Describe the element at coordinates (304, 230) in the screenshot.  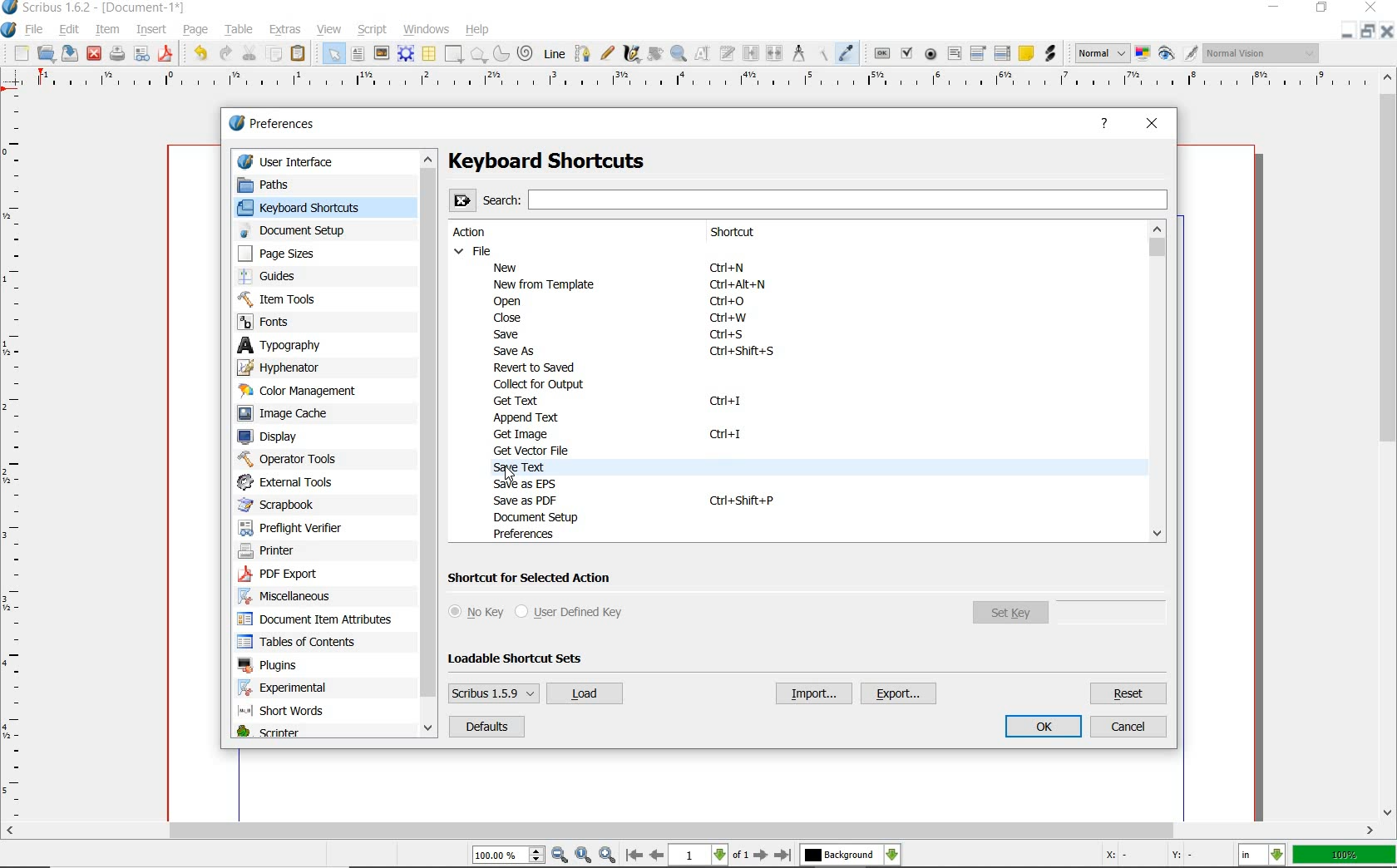
I see `document setup` at that location.